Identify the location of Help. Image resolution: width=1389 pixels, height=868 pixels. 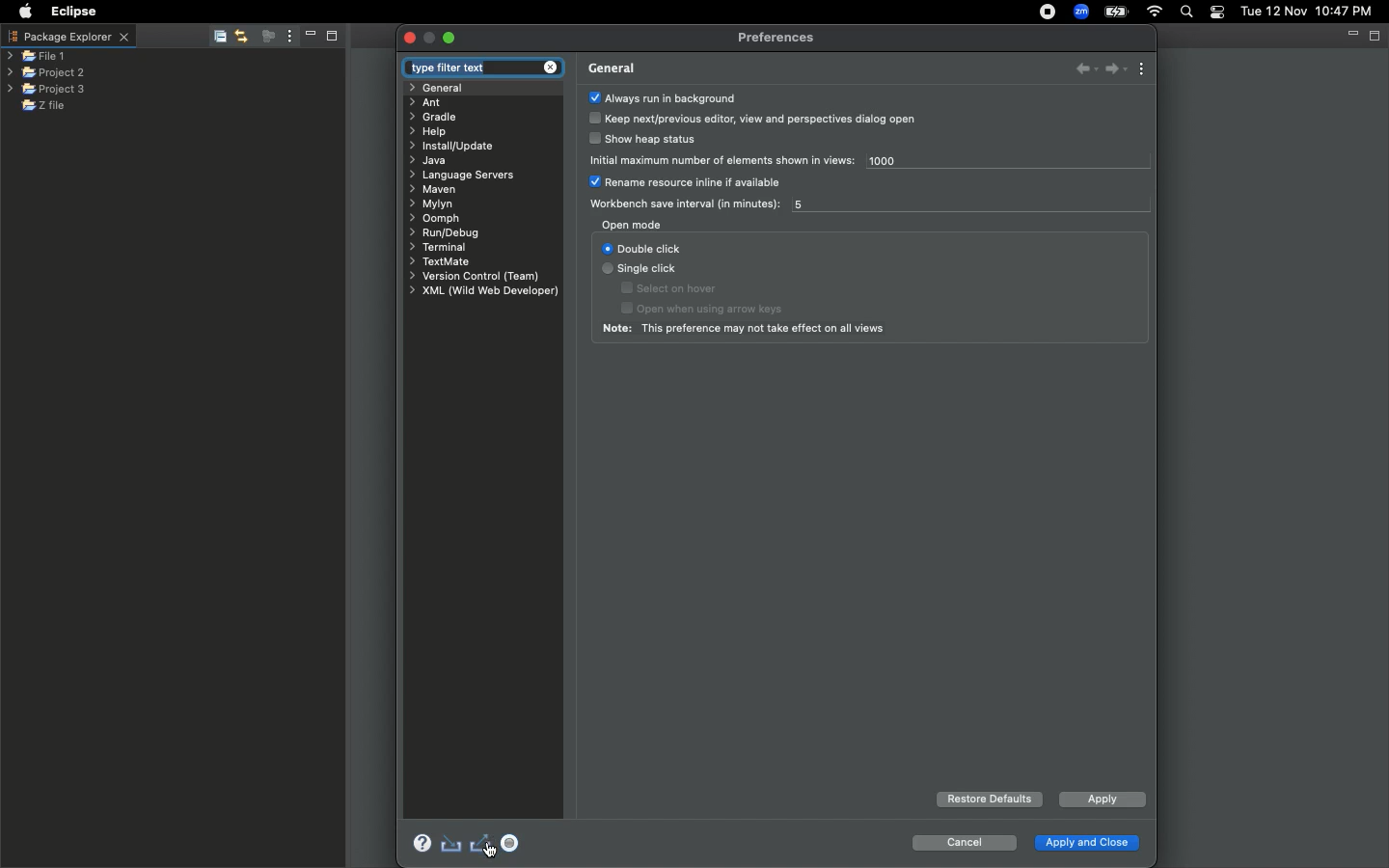
(417, 841).